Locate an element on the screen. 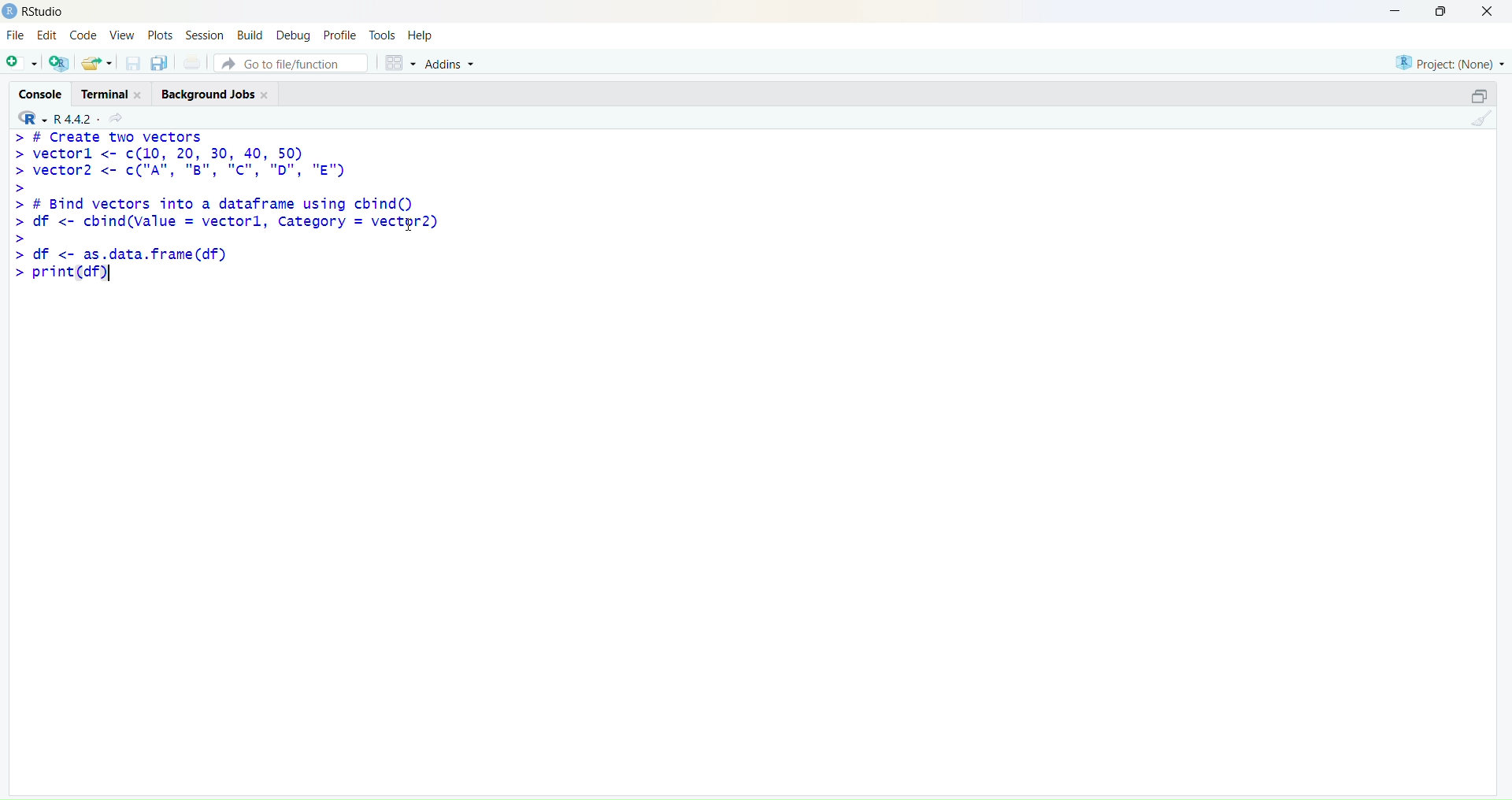 The height and width of the screenshot is (800, 1512). Session is located at coordinates (203, 34).